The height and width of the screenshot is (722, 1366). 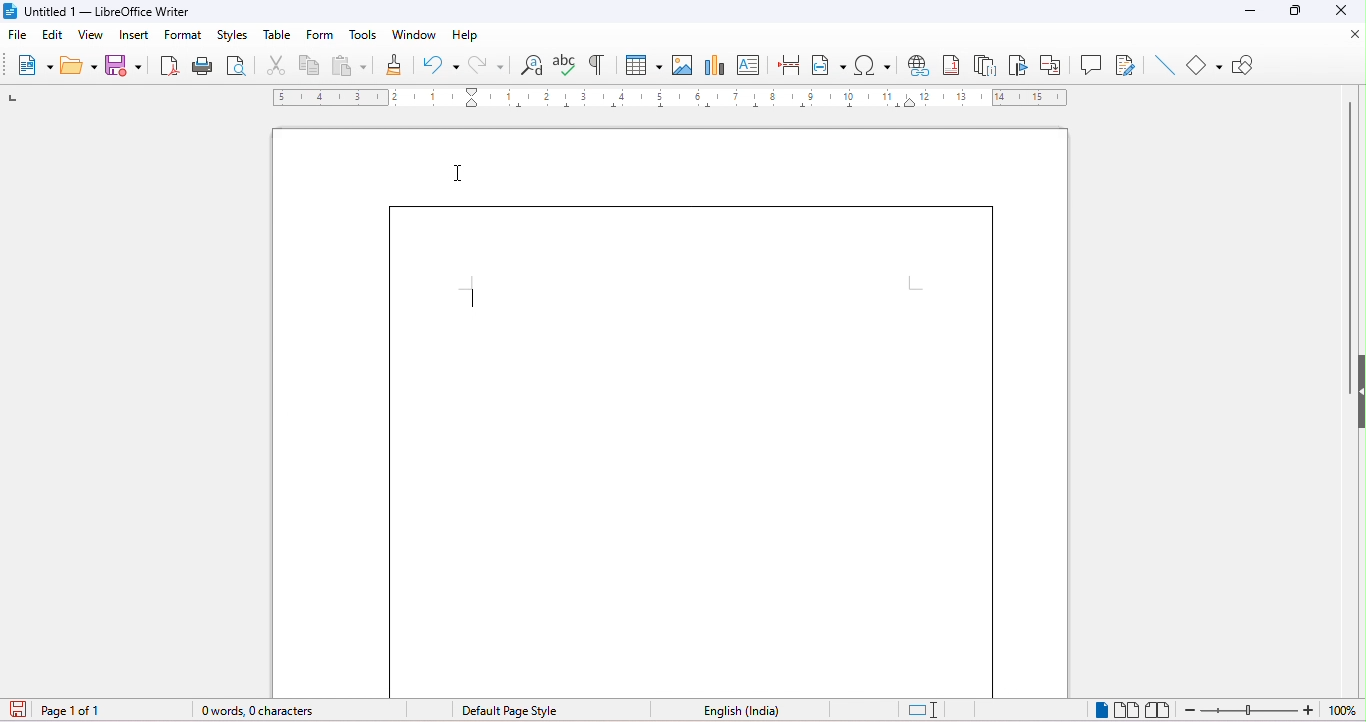 I want to click on redo, so click(x=488, y=64).